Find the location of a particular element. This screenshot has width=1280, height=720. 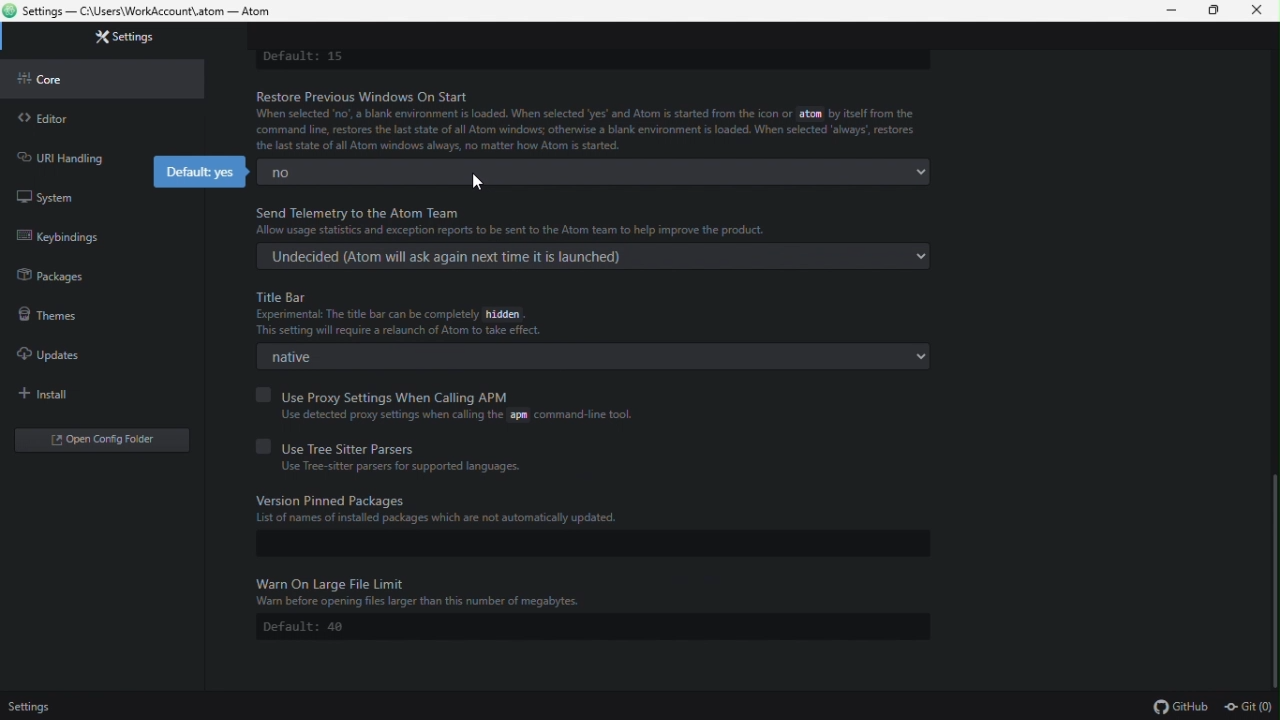

default:15 is located at coordinates (336, 57).